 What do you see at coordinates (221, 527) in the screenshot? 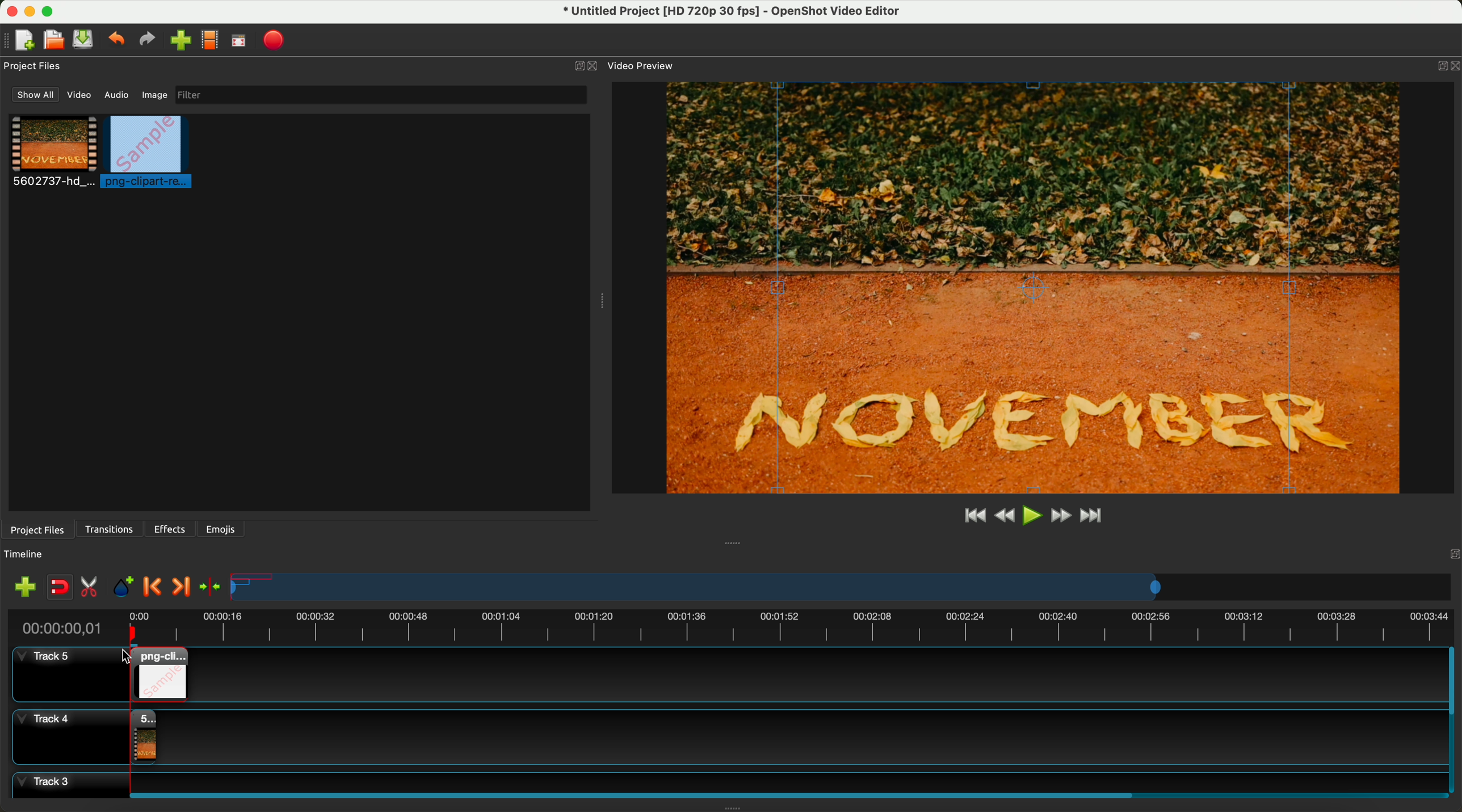
I see `emojis` at bounding box center [221, 527].